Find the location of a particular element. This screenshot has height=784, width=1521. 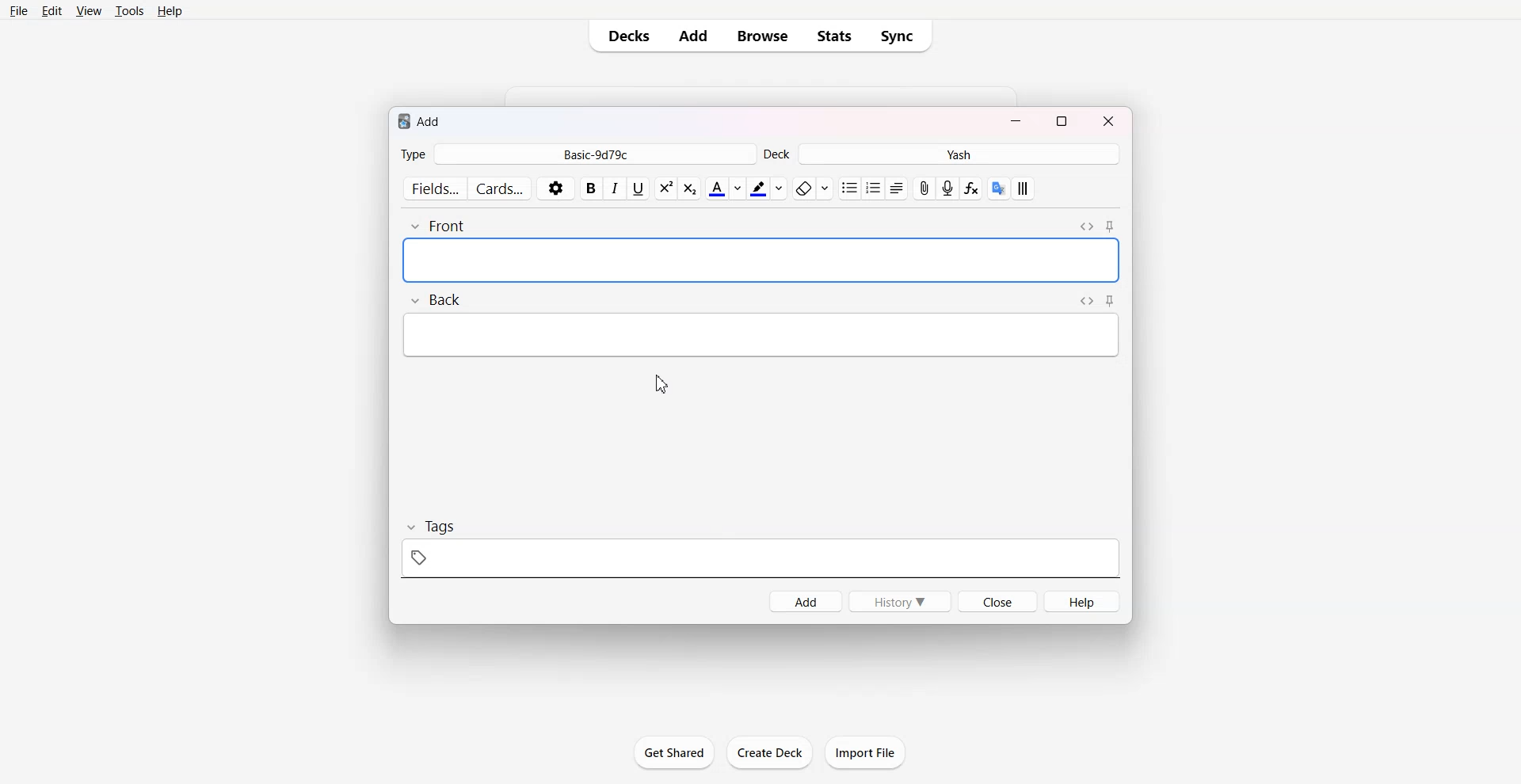

Browse is located at coordinates (760, 36).